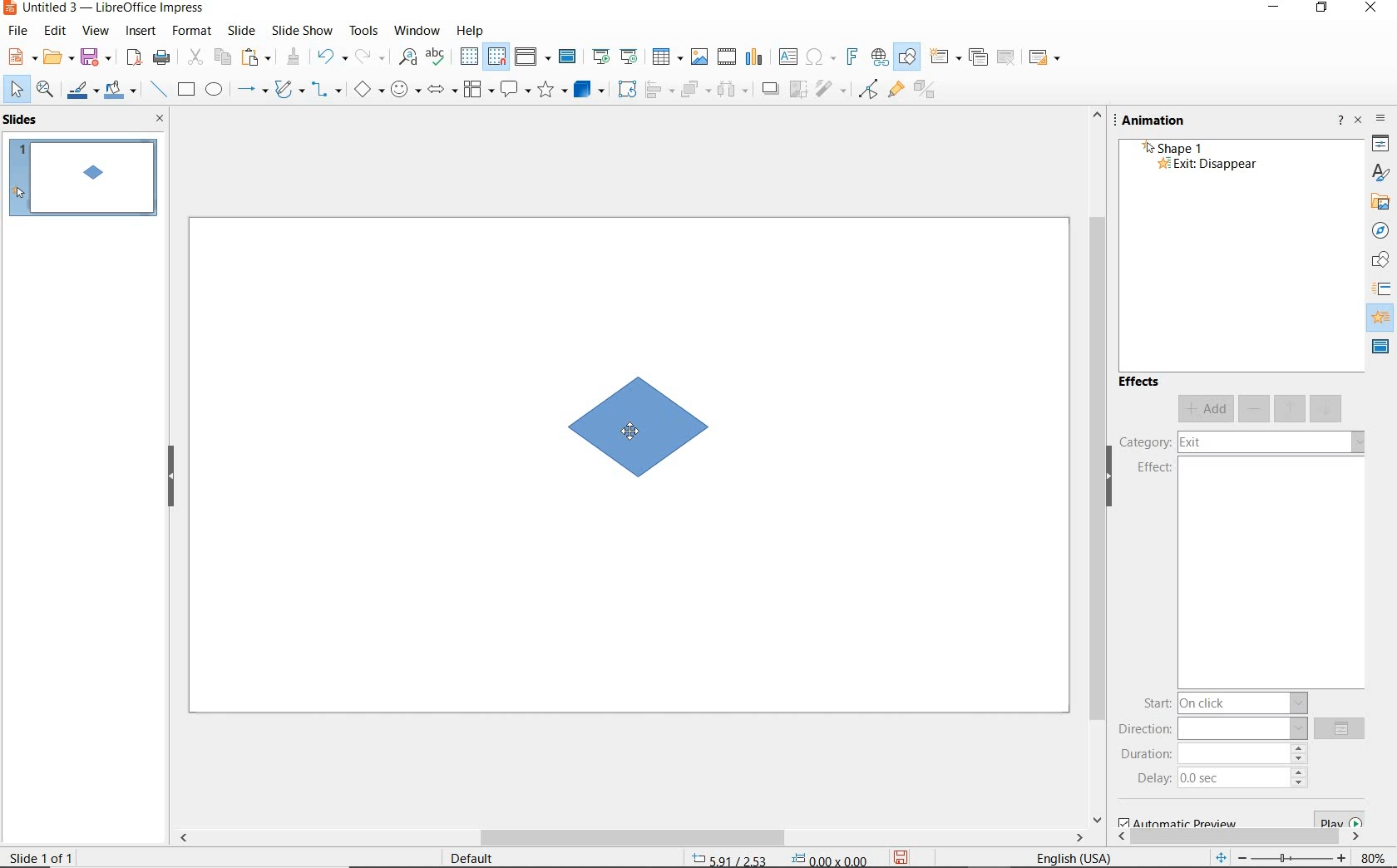  What do you see at coordinates (22, 120) in the screenshot?
I see `slides` at bounding box center [22, 120].